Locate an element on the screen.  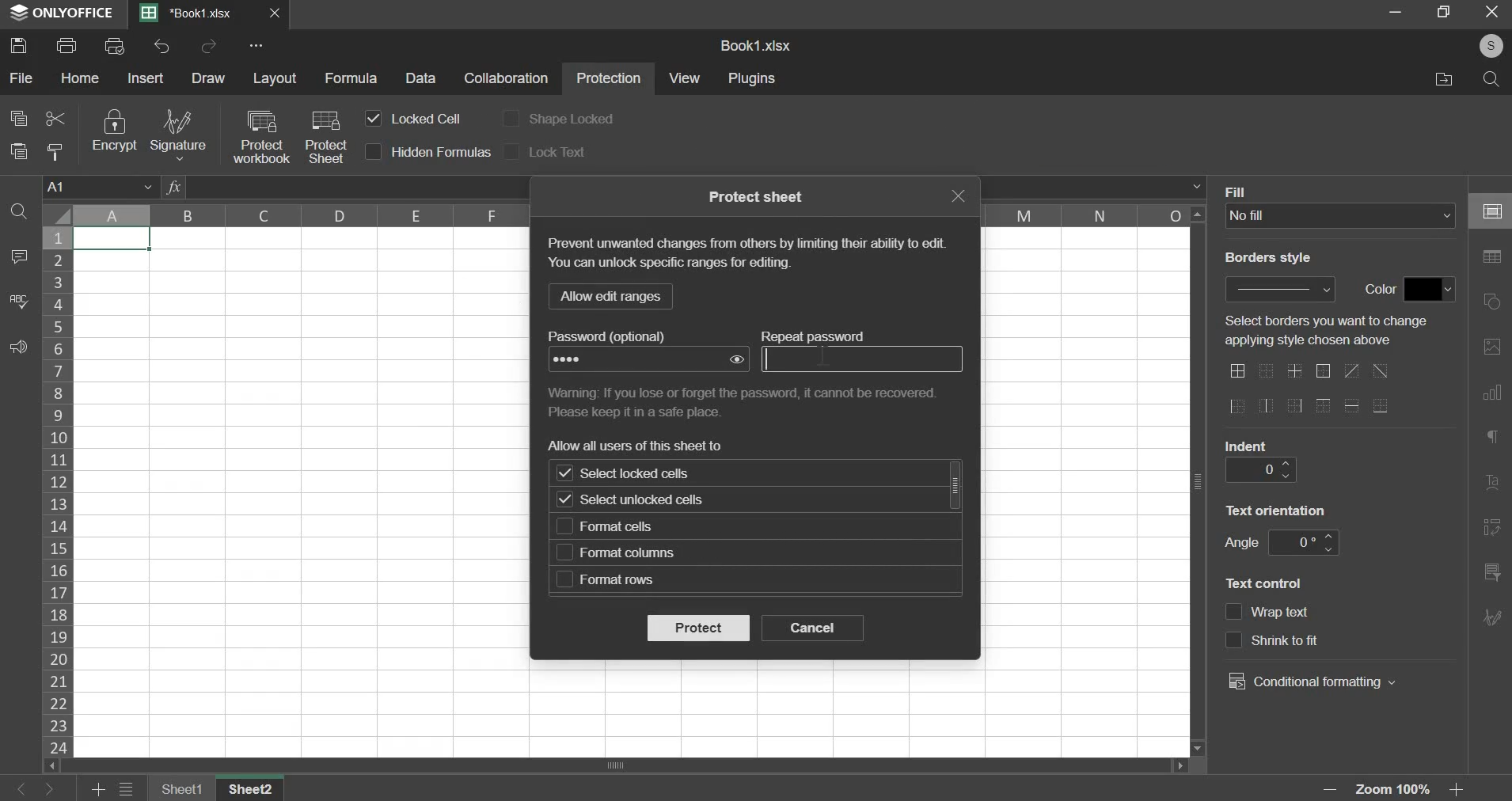
column is located at coordinates (295, 214).